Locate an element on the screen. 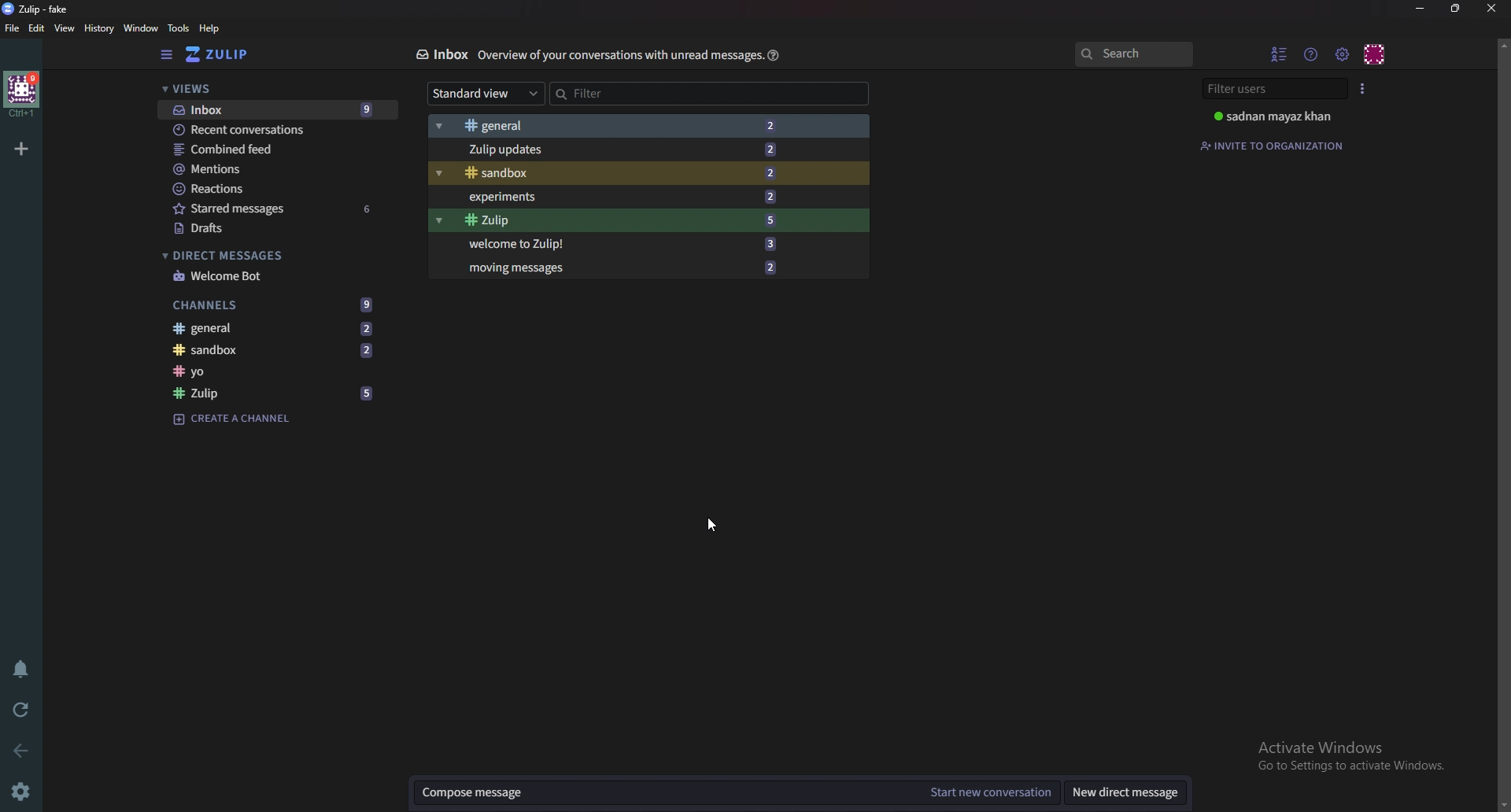  Help menu is located at coordinates (1312, 53).